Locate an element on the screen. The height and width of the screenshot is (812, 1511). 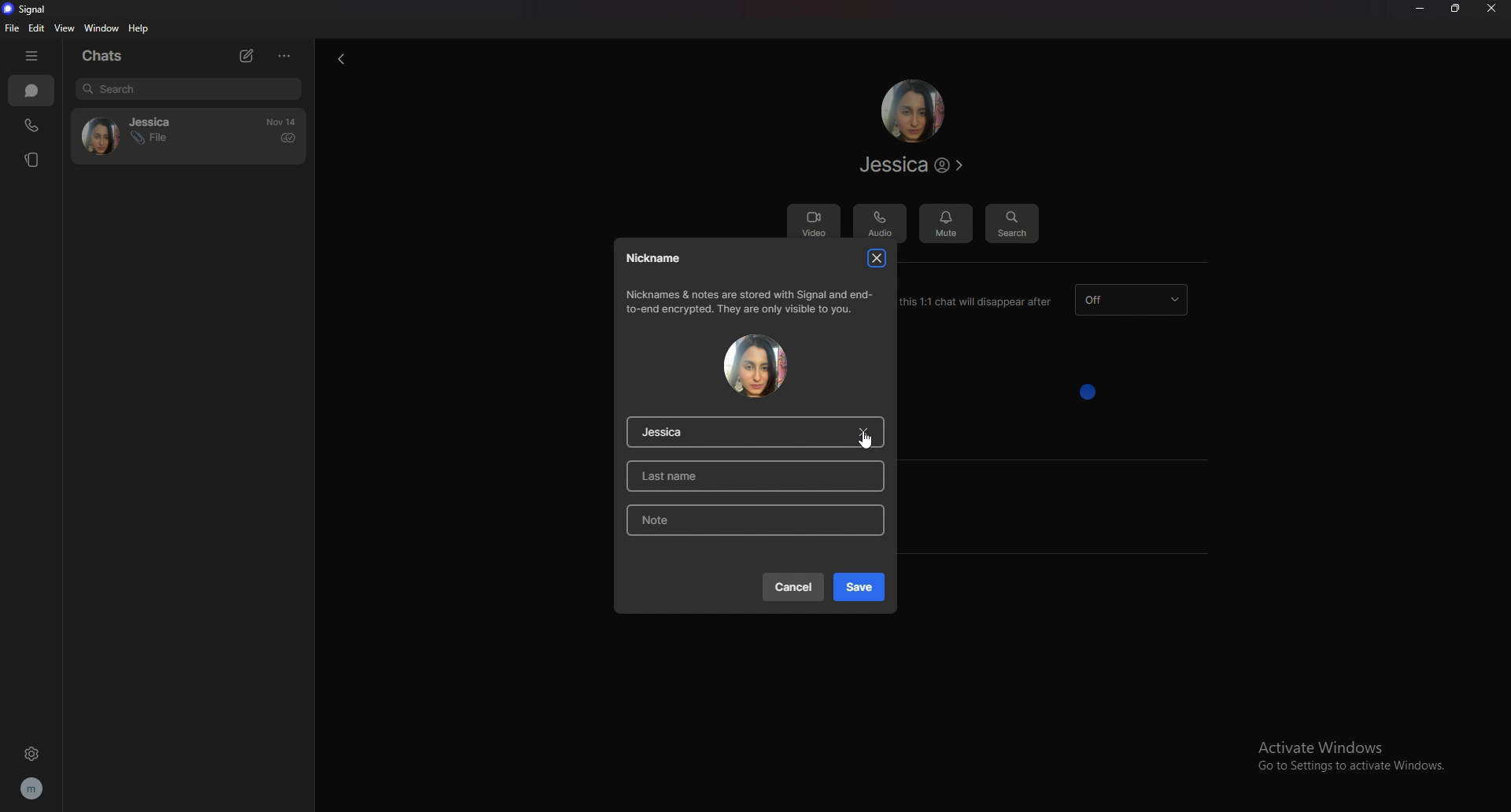
cursor is located at coordinates (865, 440).